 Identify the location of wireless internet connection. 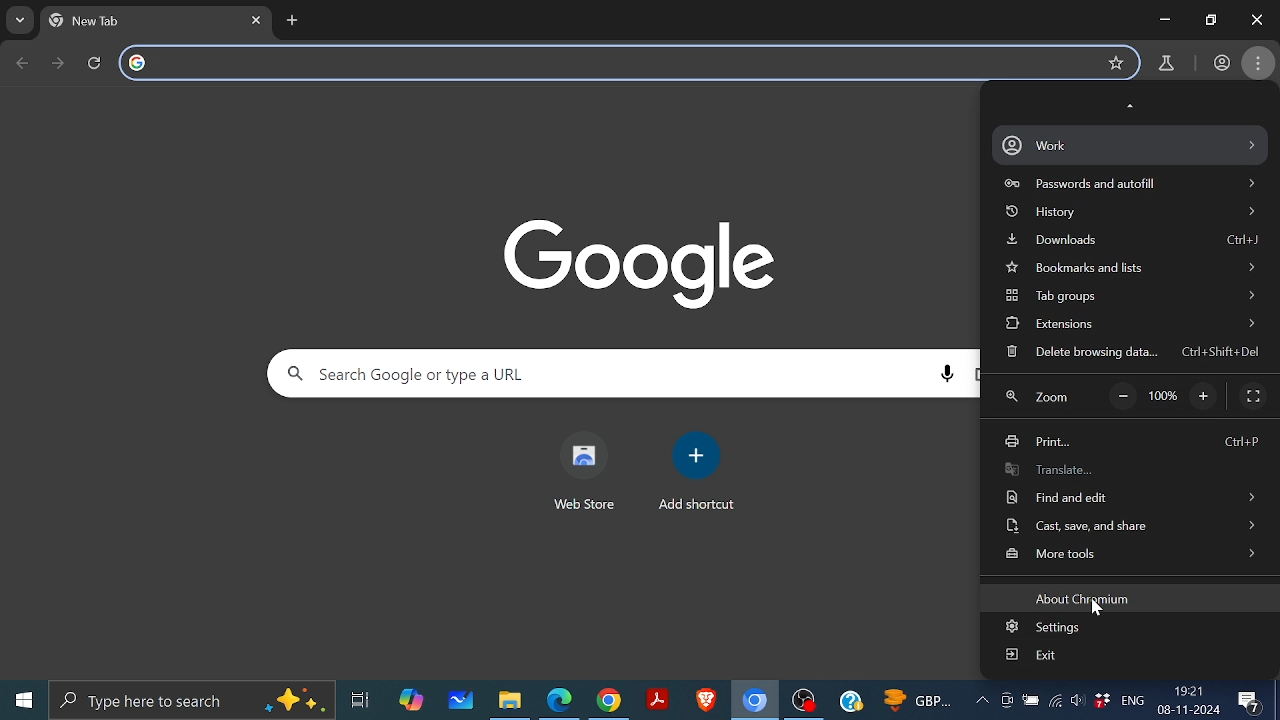
(1056, 704).